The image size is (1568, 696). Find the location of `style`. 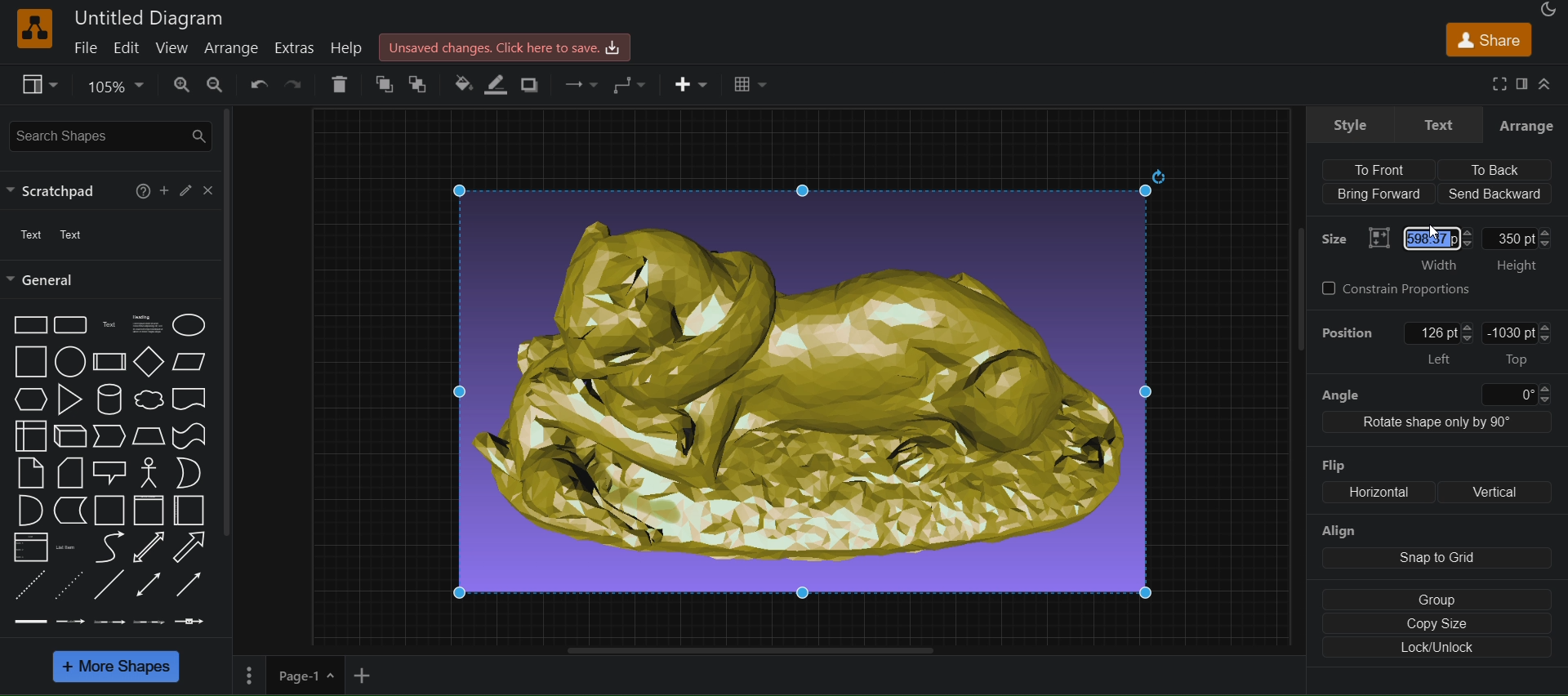

style is located at coordinates (1351, 124).